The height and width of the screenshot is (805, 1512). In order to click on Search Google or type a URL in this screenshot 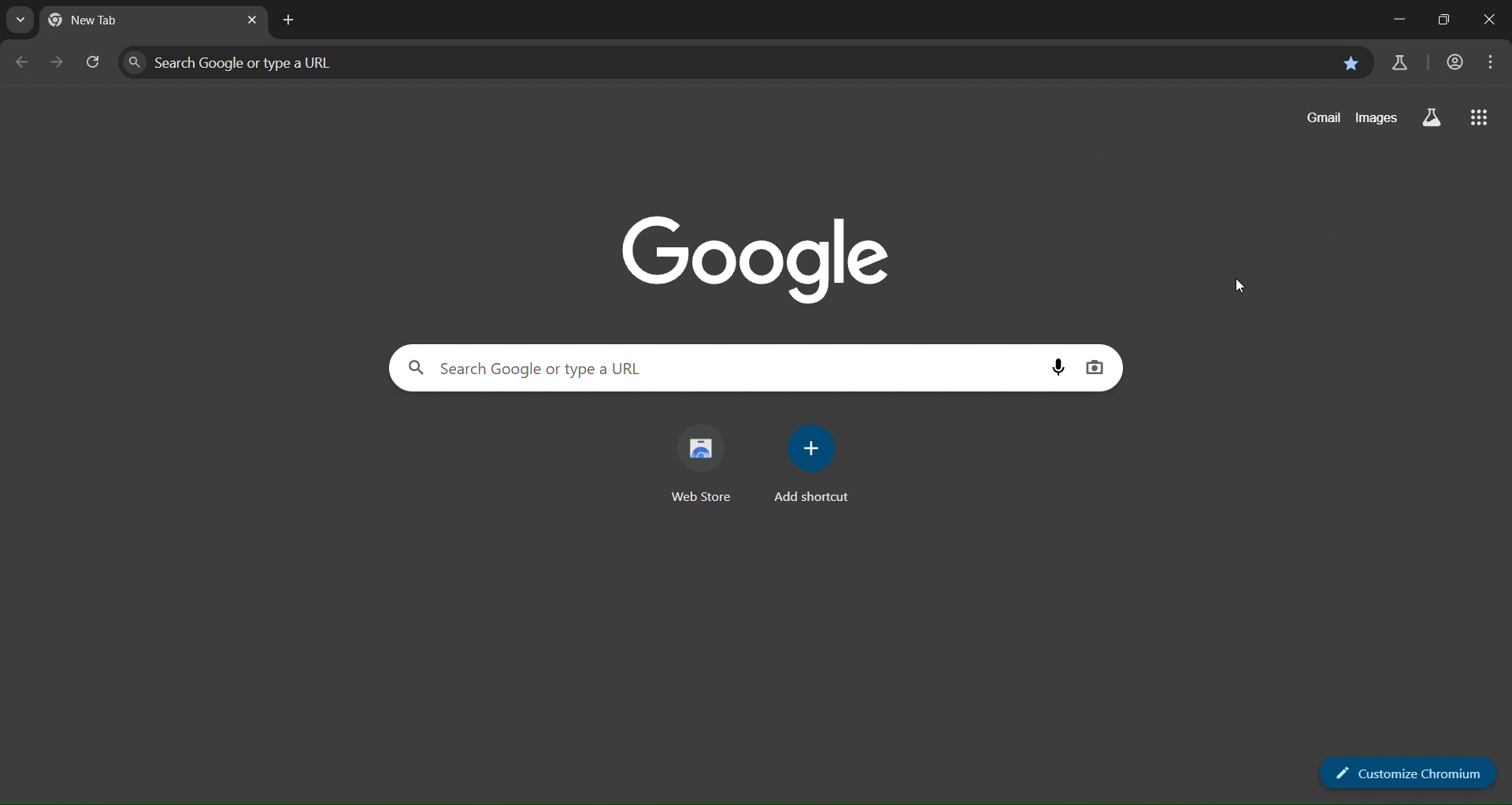, I will do `click(726, 64)`.